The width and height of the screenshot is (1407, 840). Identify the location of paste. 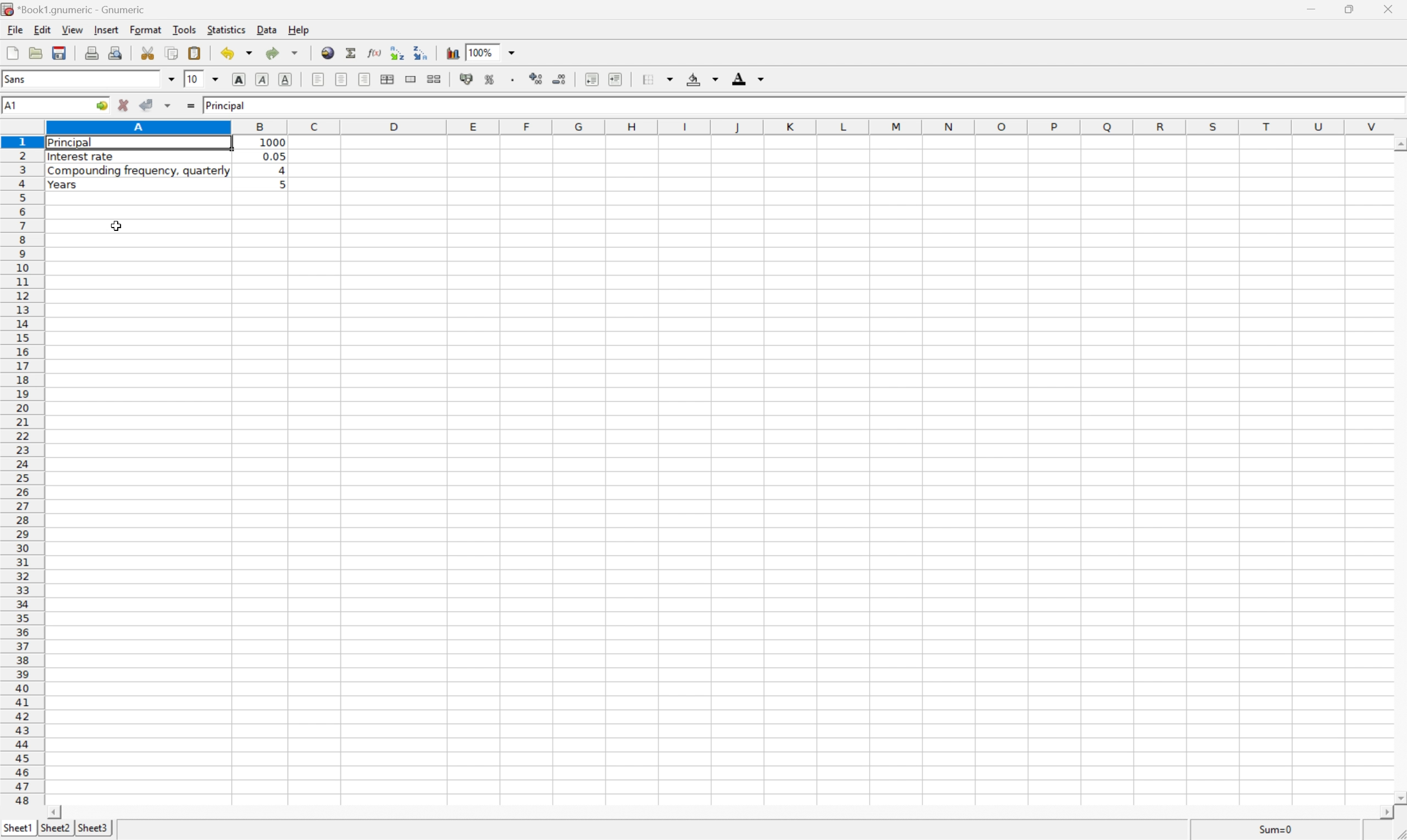
(194, 52).